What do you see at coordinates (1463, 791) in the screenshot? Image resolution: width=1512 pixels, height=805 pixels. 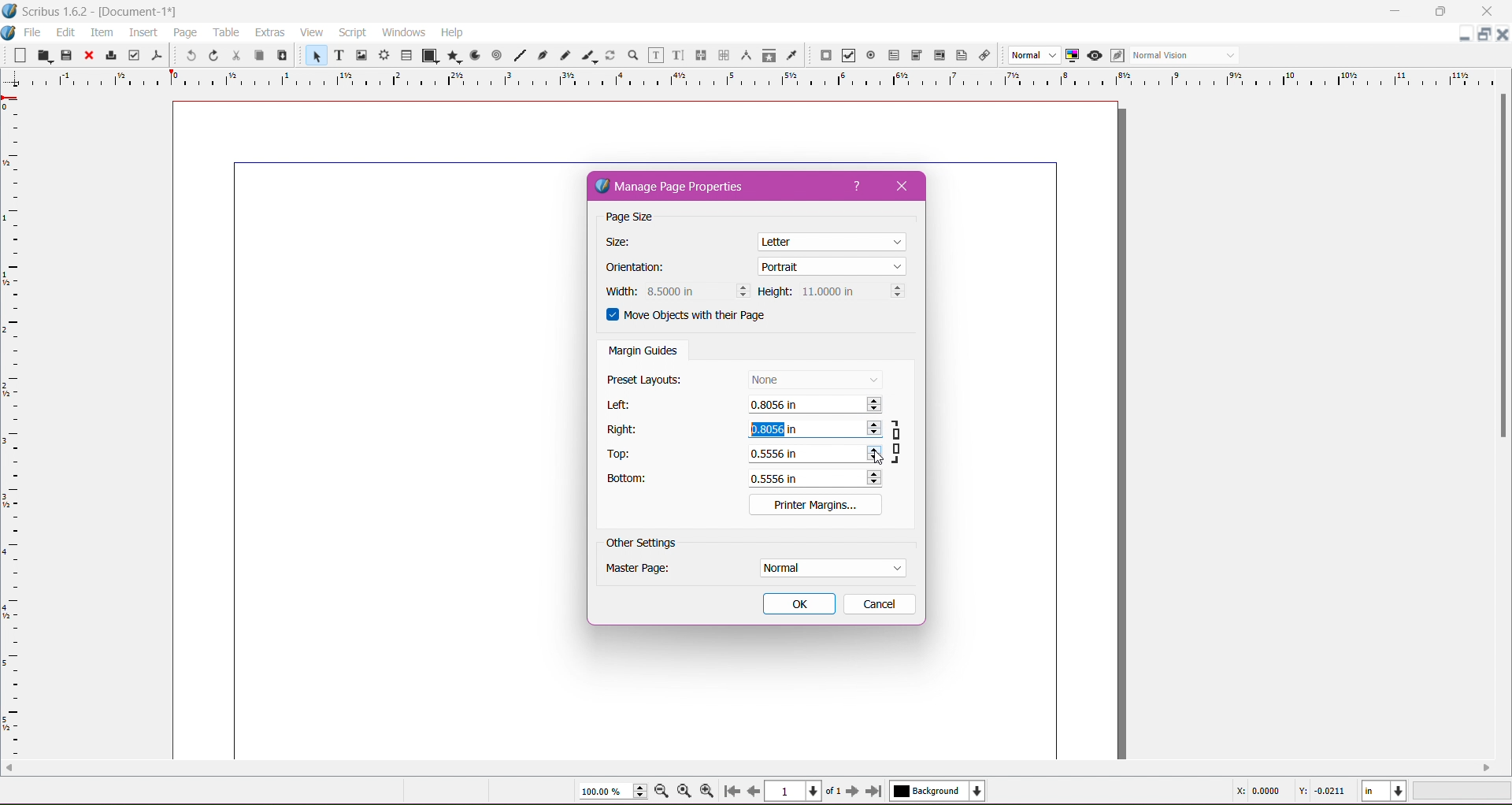 I see `Zoom Level` at bounding box center [1463, 791].